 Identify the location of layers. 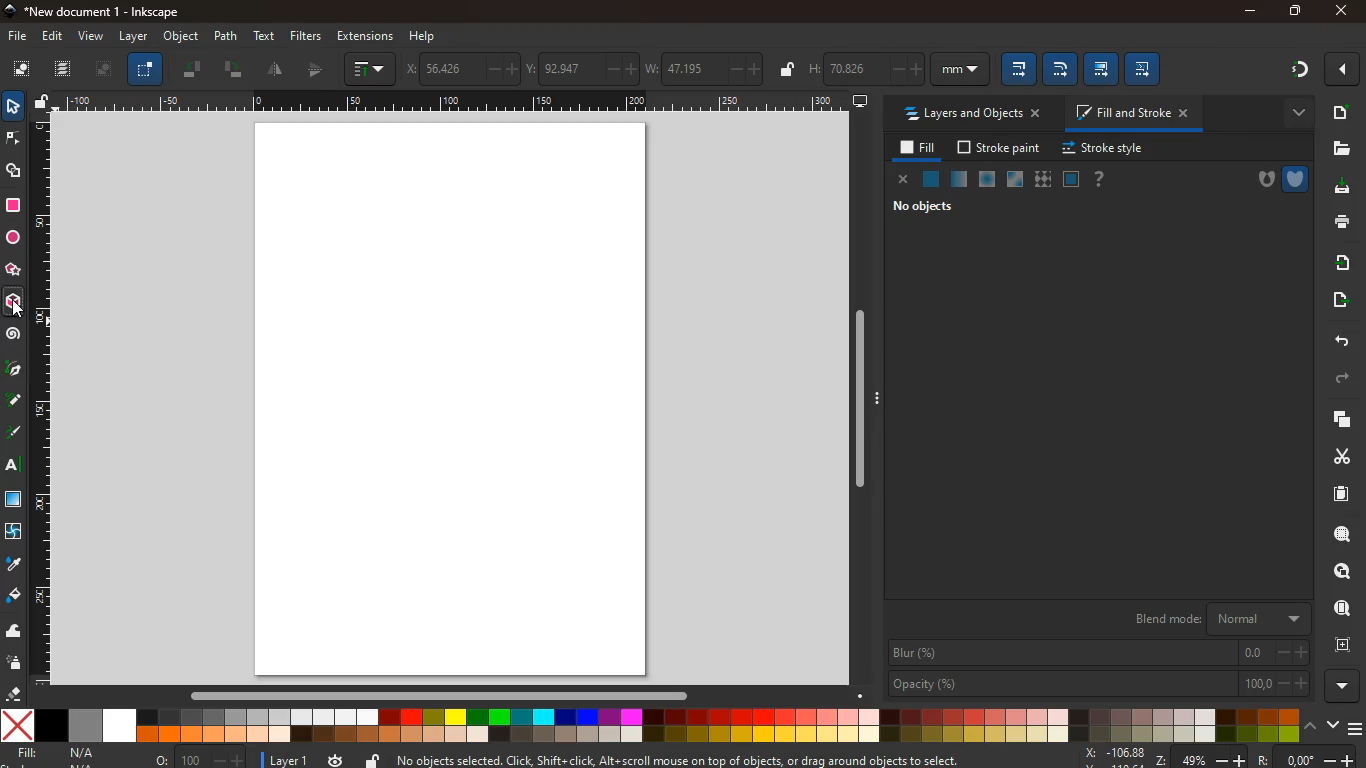
(67, 71).